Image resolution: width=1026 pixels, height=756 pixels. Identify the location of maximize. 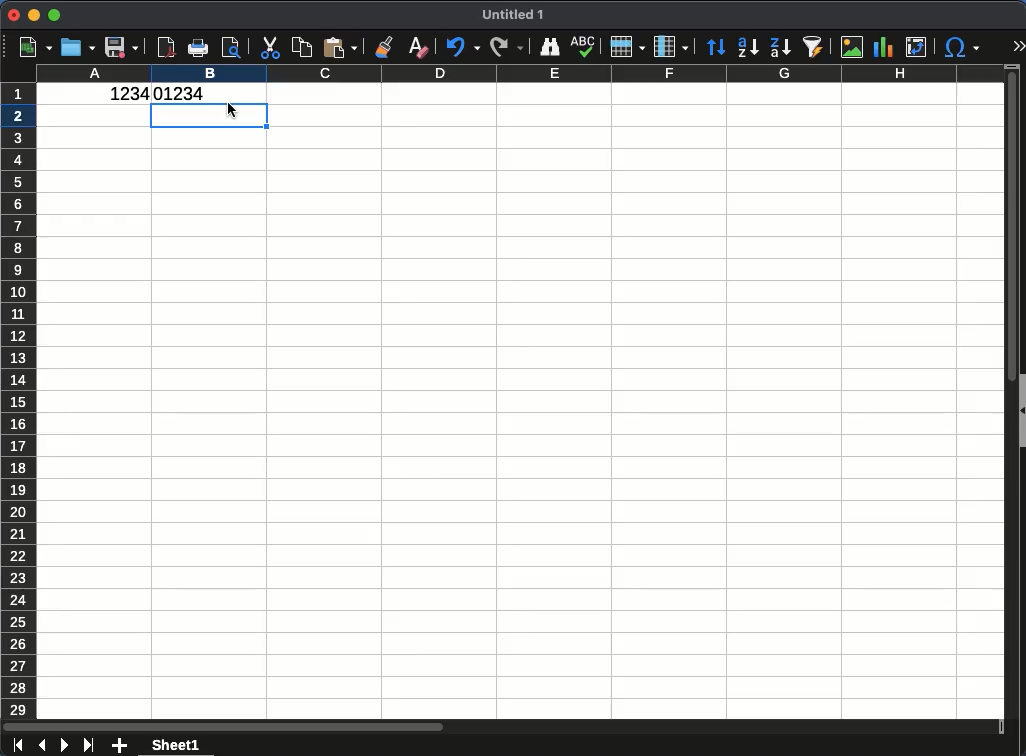
(54, 16).